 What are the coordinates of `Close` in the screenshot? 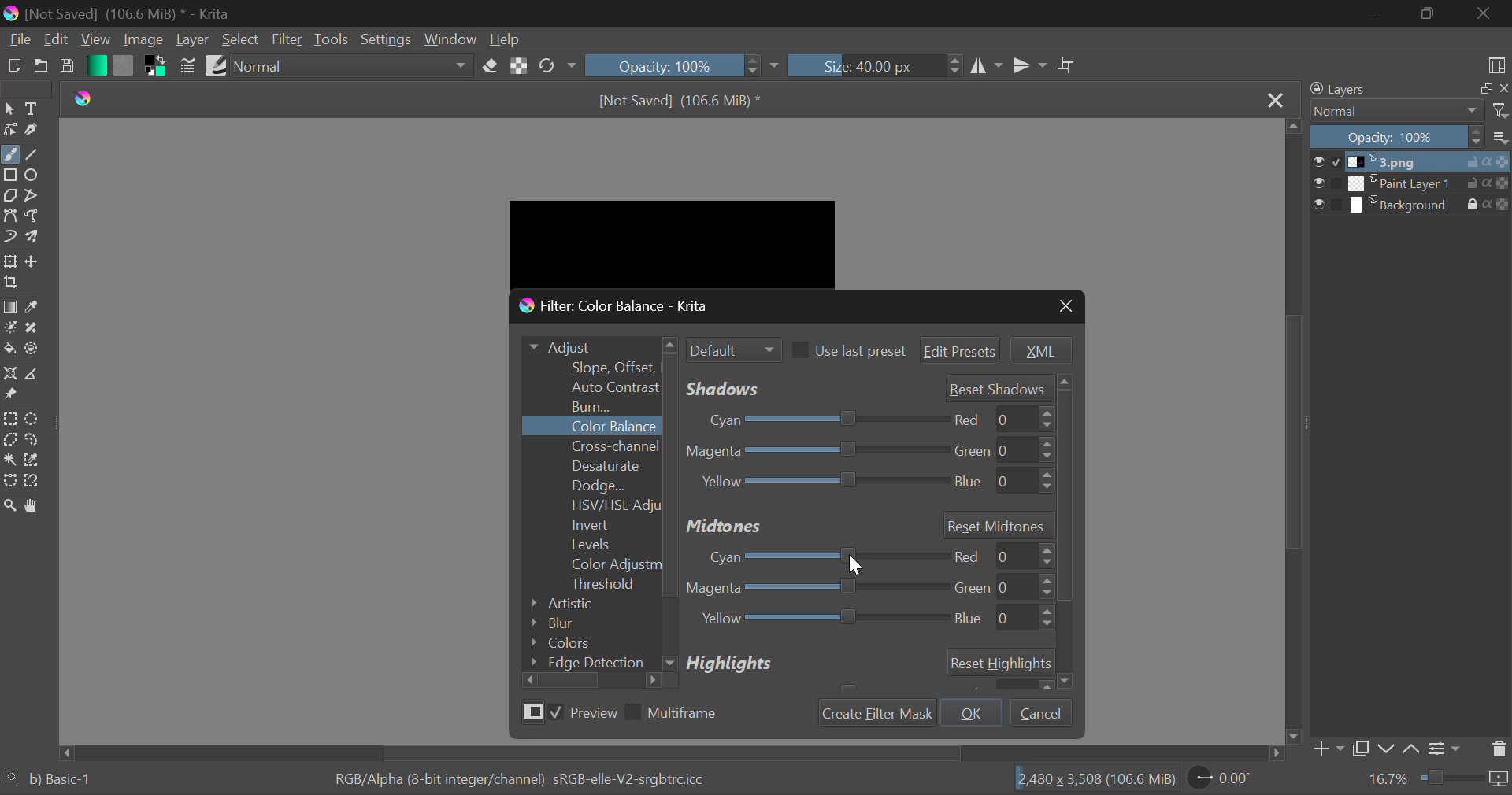 It's located at (1067, 307).